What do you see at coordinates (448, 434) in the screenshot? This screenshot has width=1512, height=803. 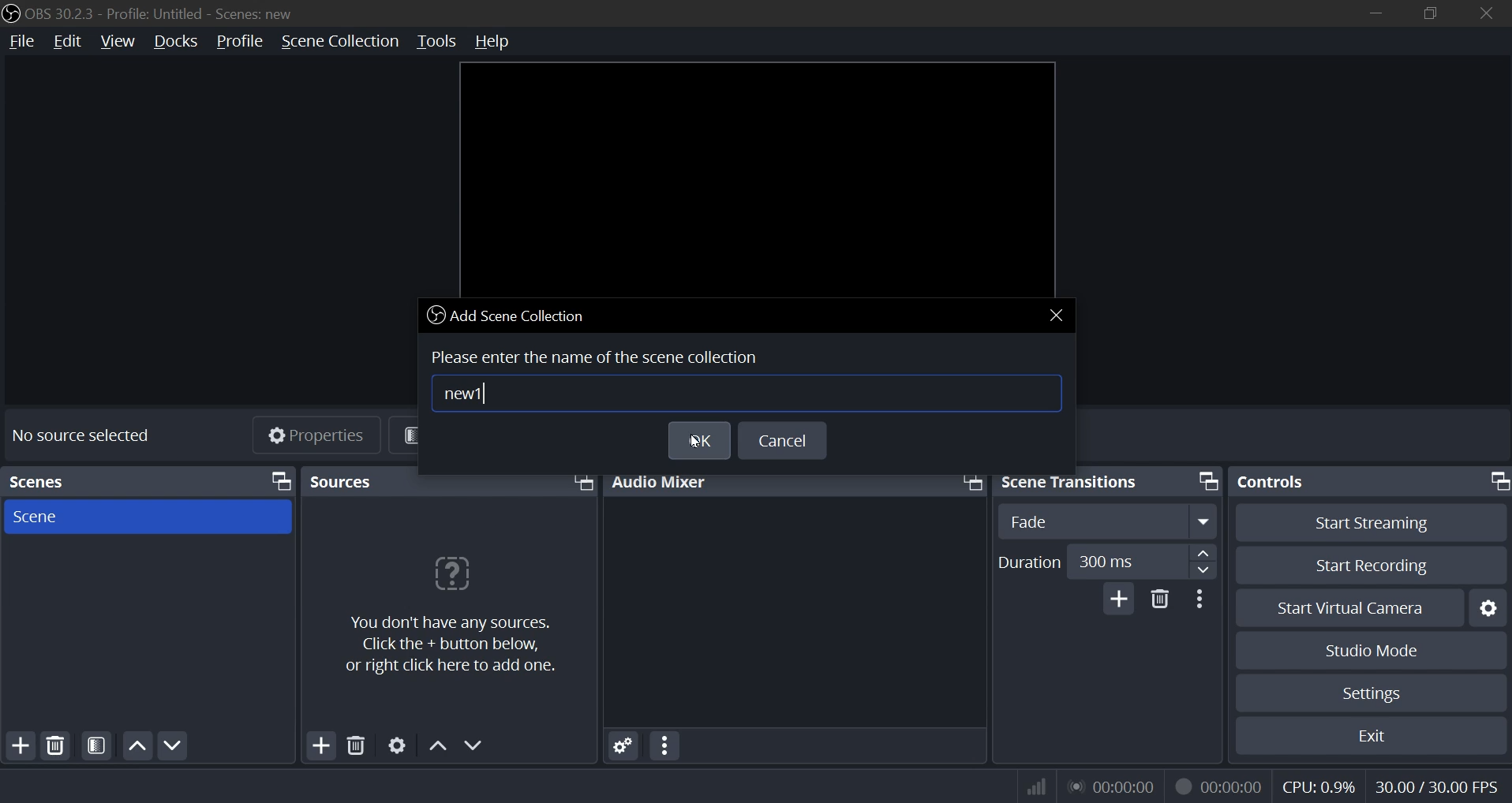 I see `filters` at bounding box center [448, 434].